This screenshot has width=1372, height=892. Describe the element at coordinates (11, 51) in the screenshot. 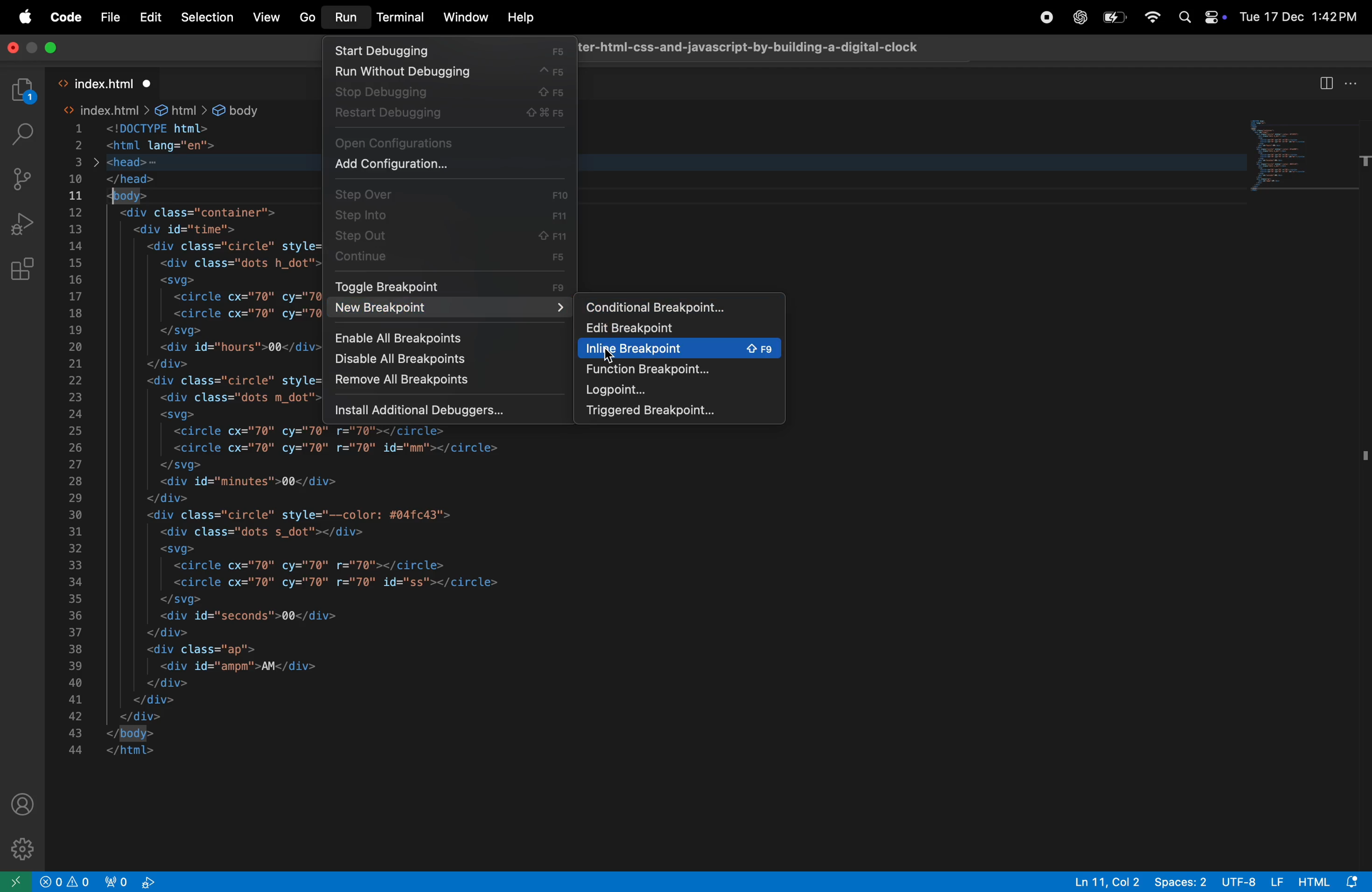

I see `close` at that location.